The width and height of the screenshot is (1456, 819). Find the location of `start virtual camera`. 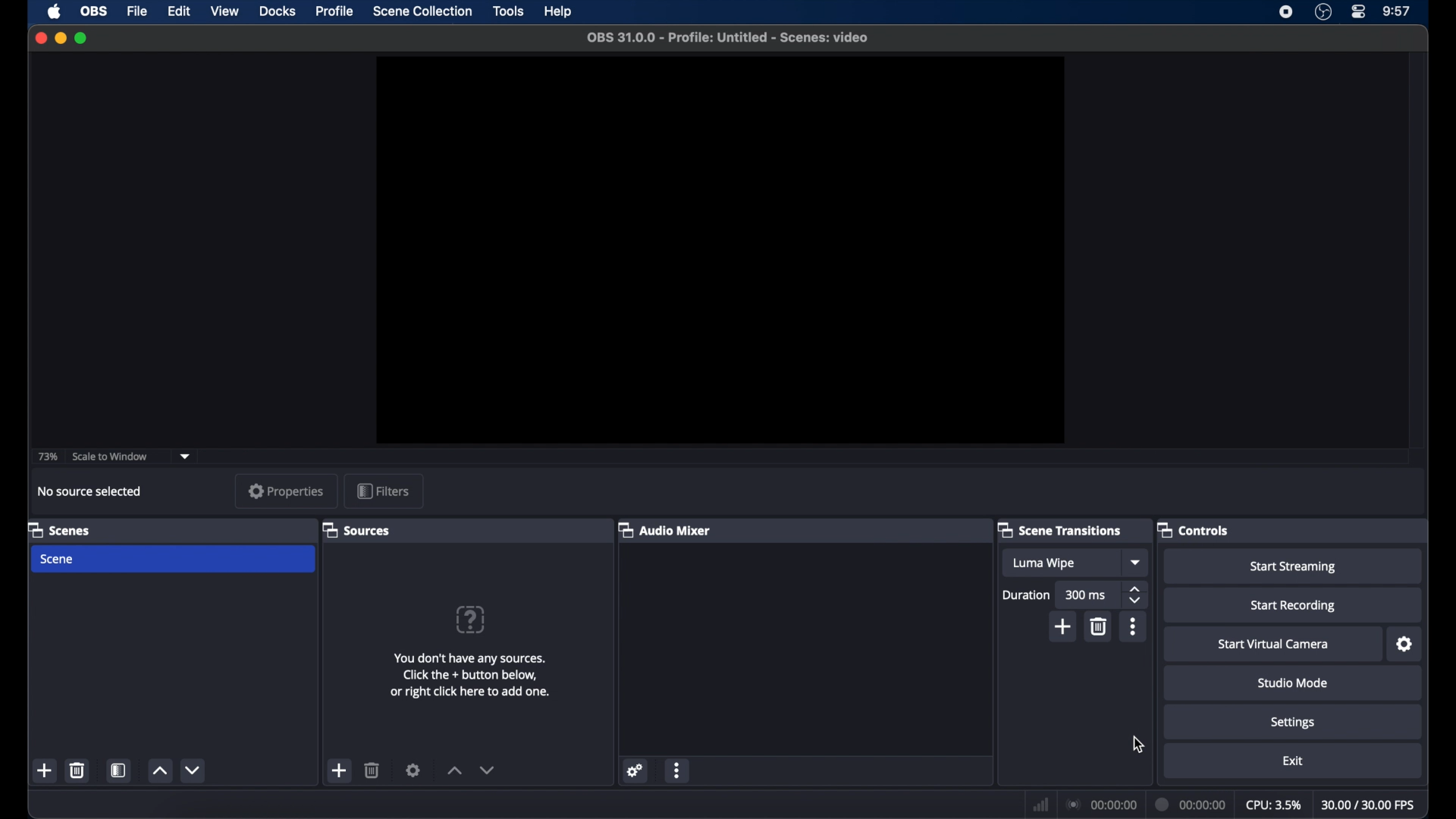

start virtual camera is located at coordinates (1274, 645).